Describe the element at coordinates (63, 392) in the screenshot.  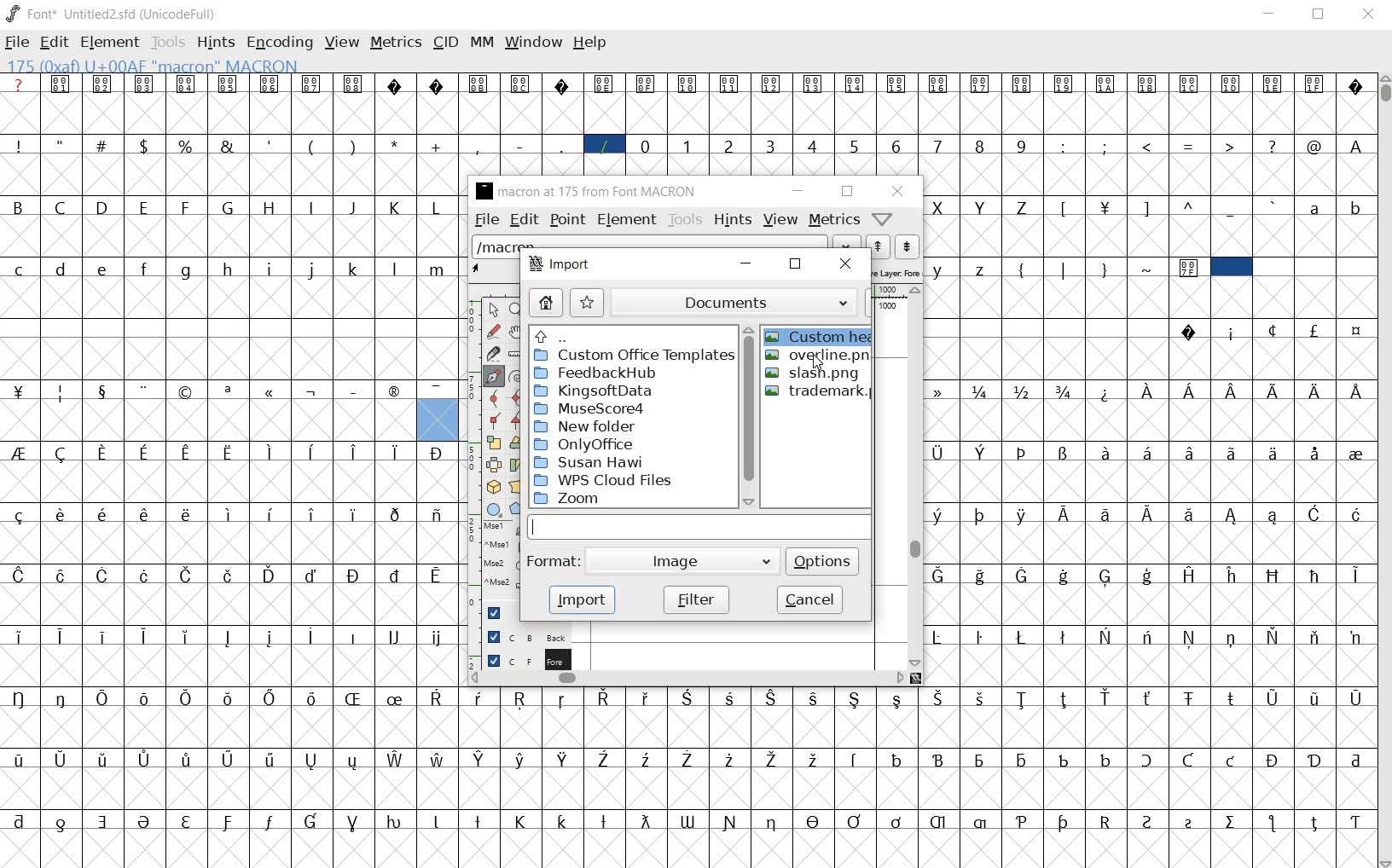
I see `Symbol` at that location.